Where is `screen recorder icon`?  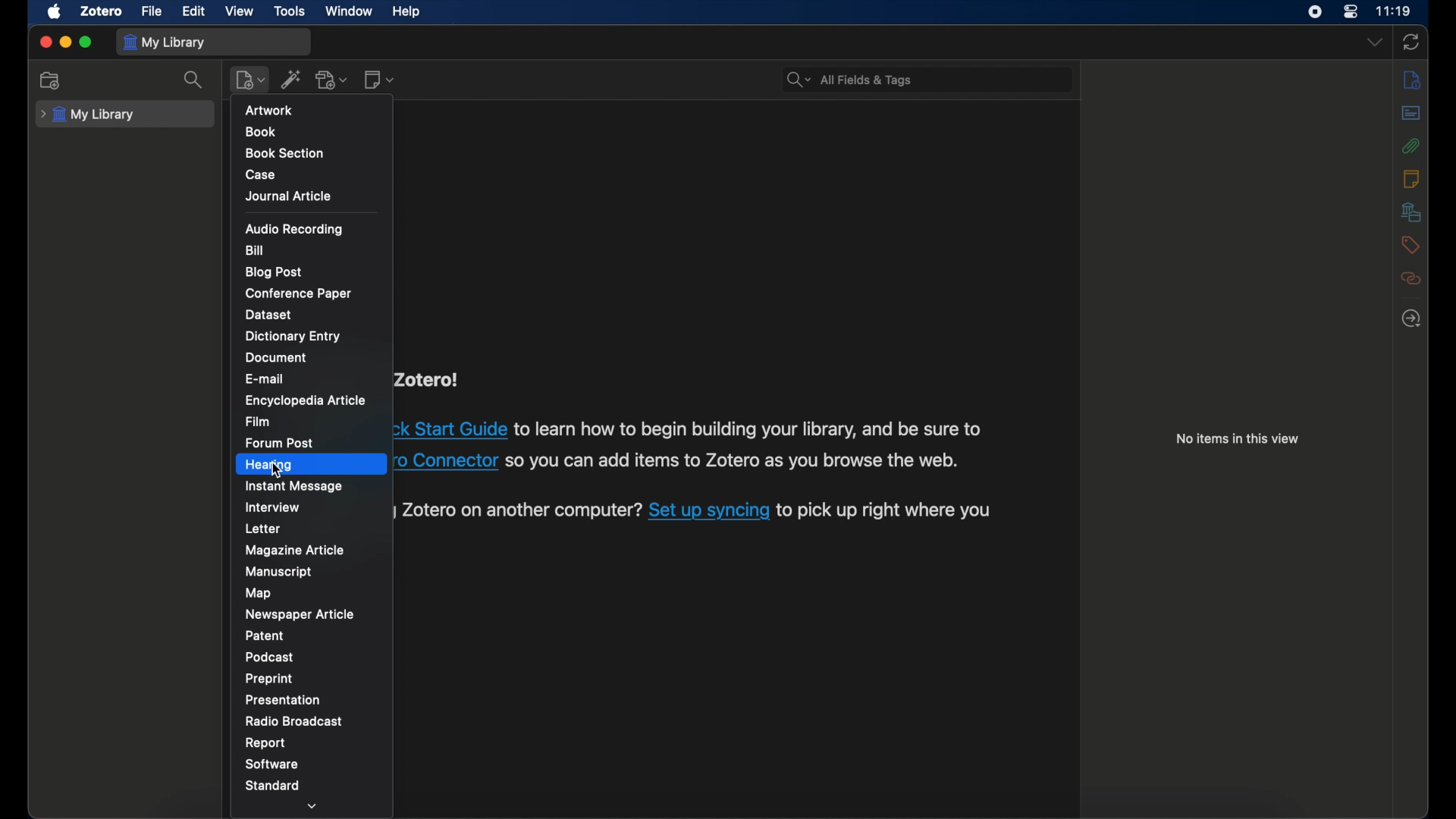
screen recorder icon is located at coordinates (1314, 11).